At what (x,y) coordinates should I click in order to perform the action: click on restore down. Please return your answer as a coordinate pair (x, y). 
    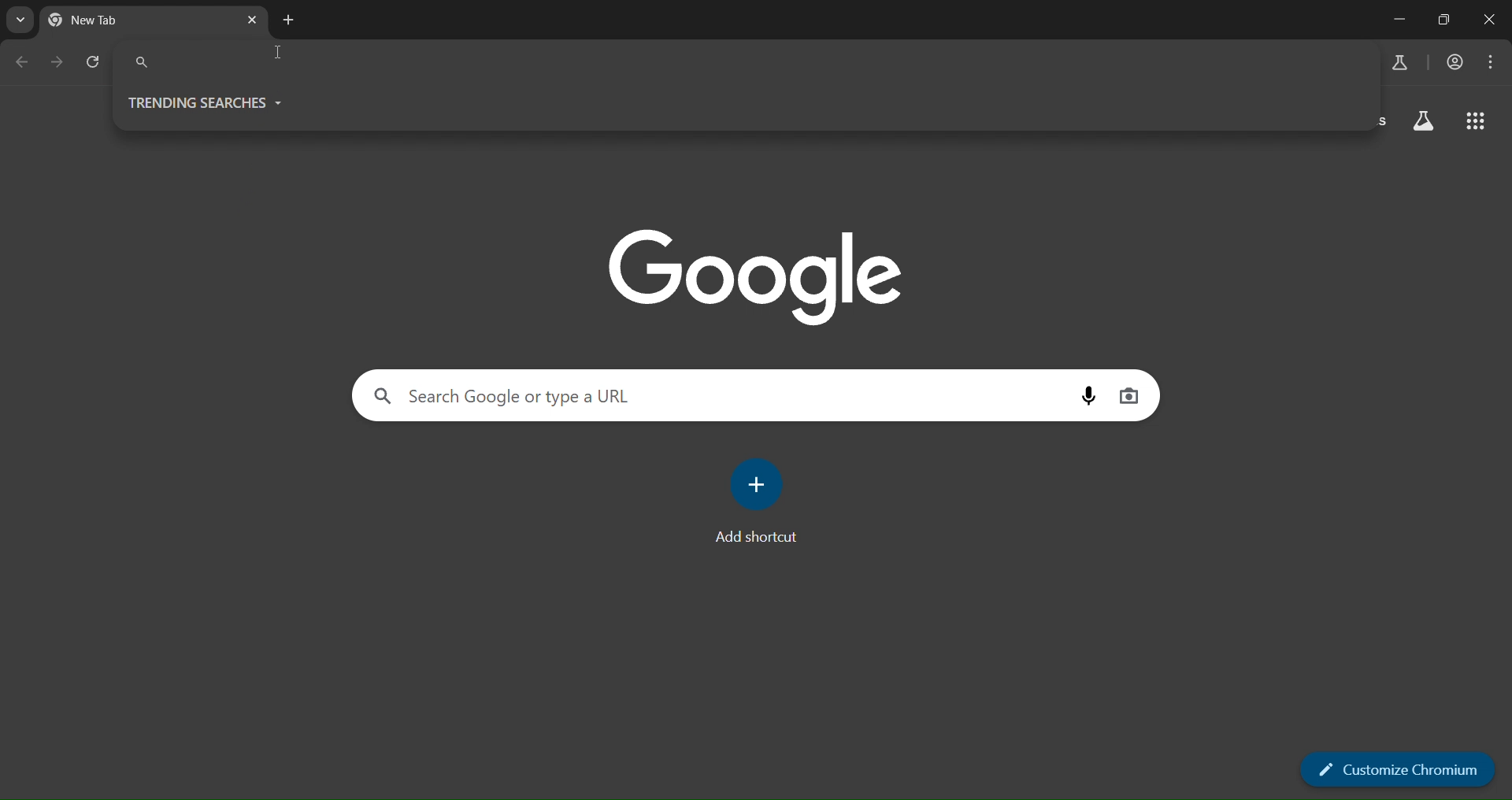
    Looking at the image, I should click on (1444, 20).